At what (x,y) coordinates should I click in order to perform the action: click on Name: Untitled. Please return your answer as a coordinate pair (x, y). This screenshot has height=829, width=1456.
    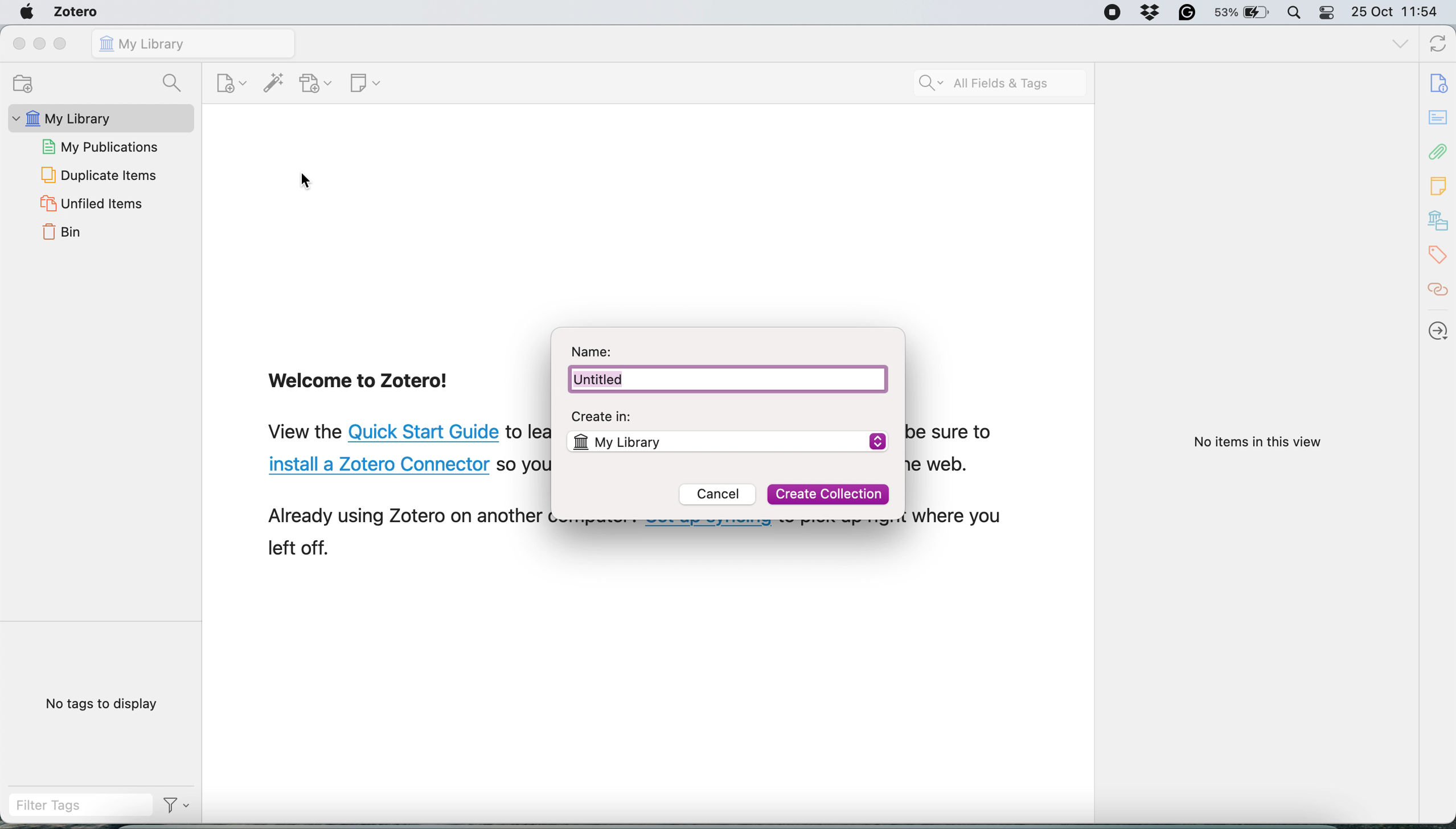
    Looking at the image, I should click on (728, 368).